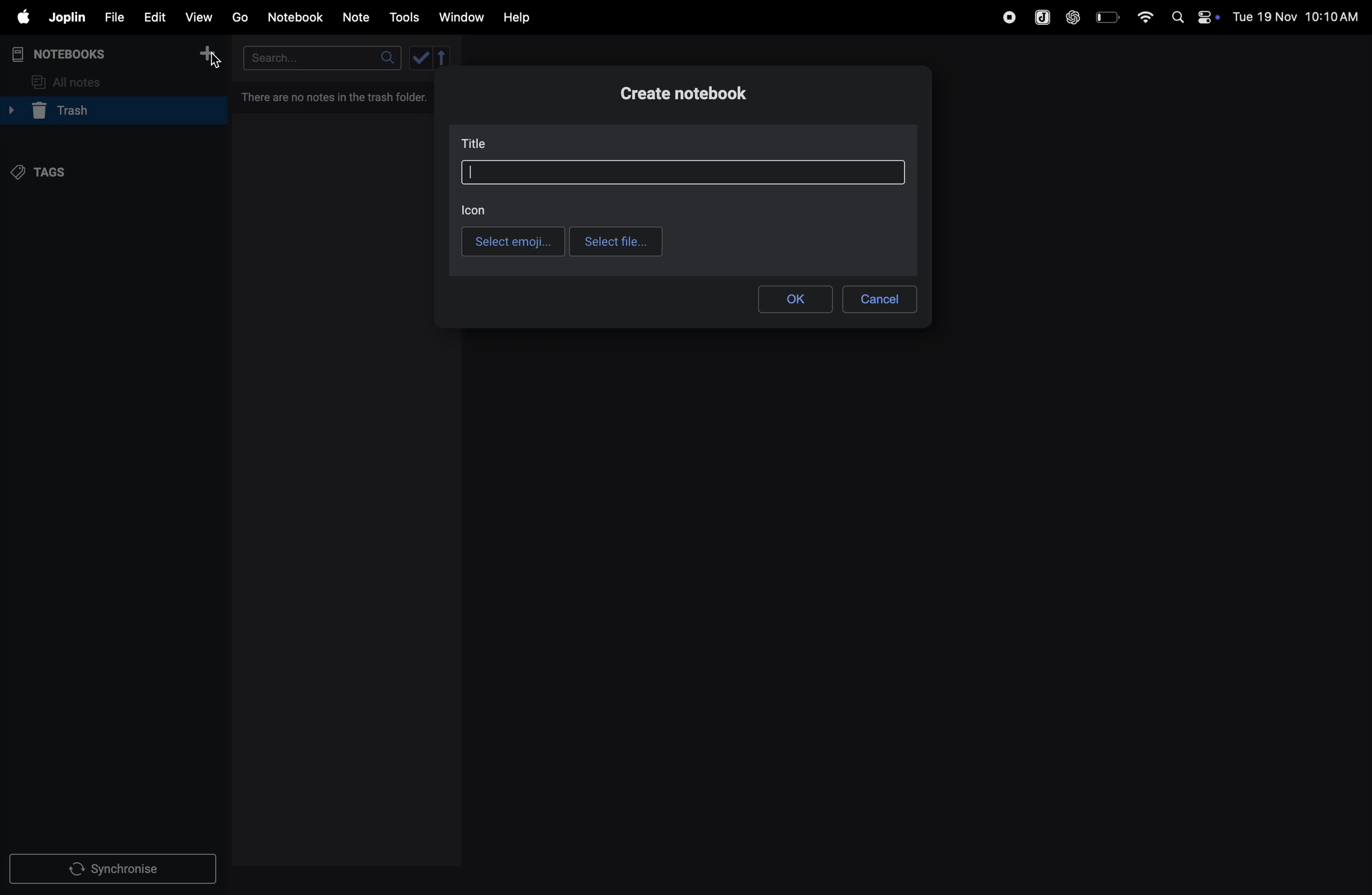  Describe the element at coordinates (1141, 16) in the screenshot. I see `wifi` at that location.